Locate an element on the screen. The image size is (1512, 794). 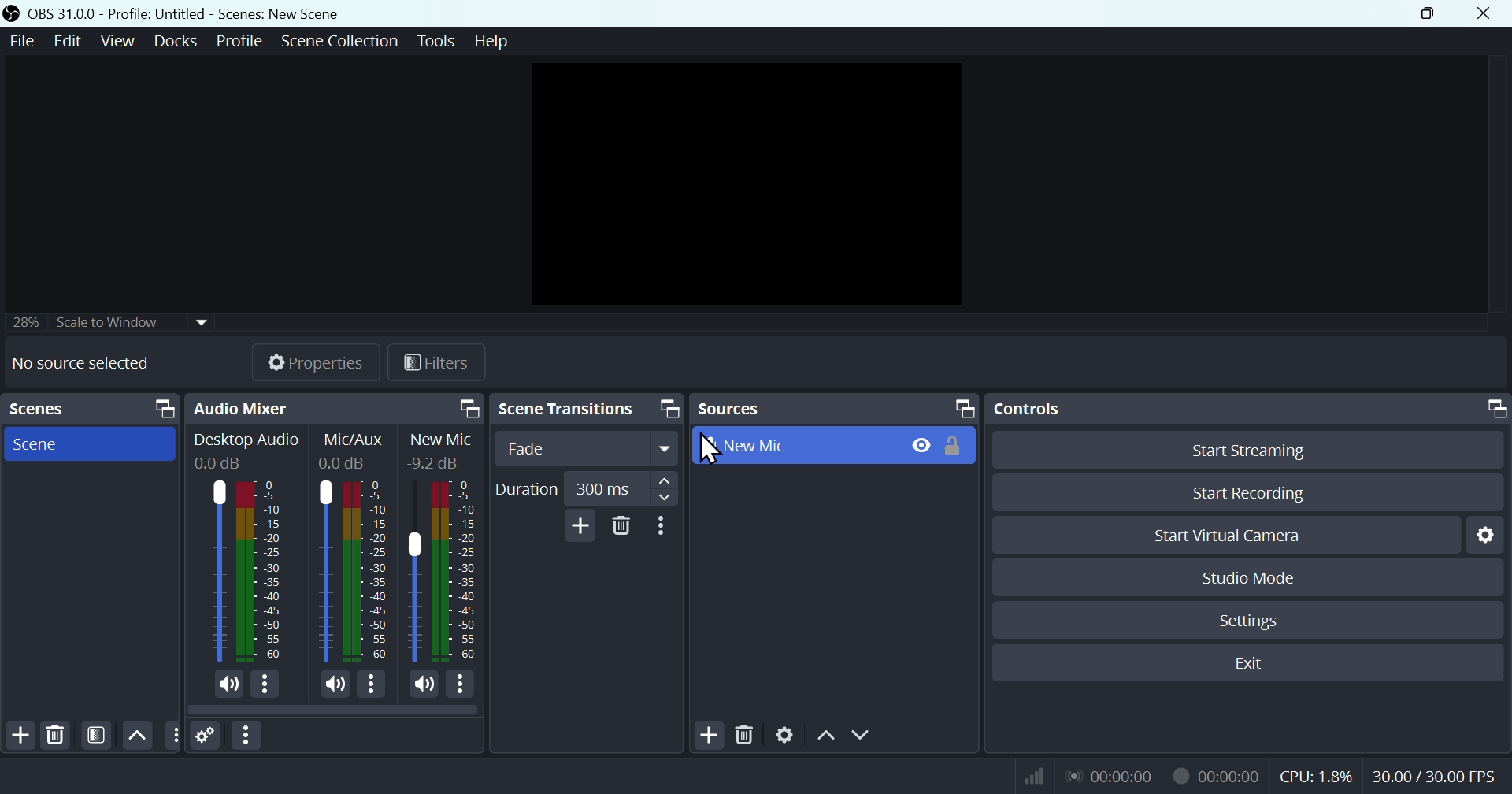
start virtual camera is located at coordinates (1215, 536).